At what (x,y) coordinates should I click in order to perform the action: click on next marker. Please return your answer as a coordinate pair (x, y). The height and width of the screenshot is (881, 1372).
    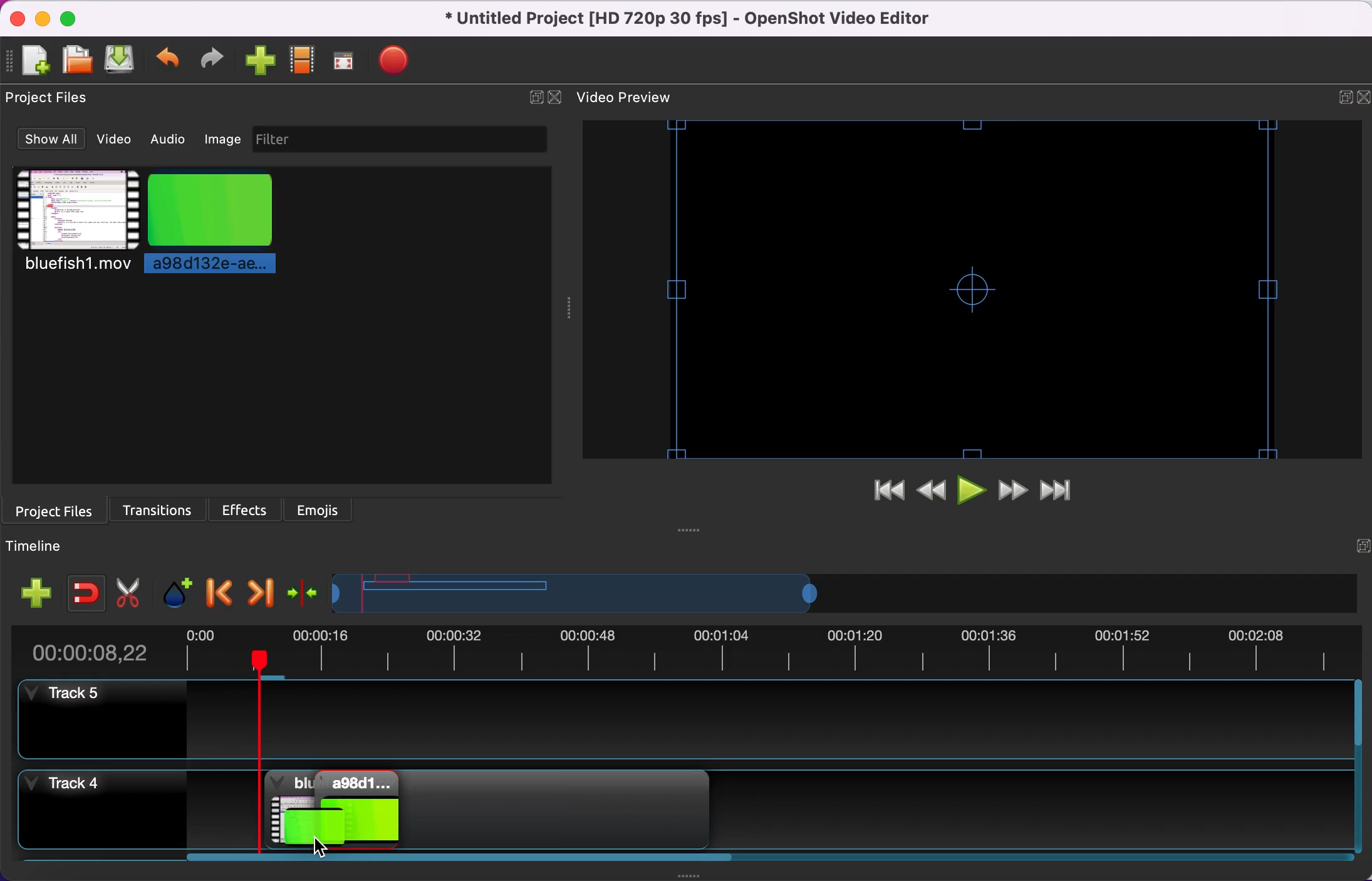
    Looking at the image, I should click on (264, 592).